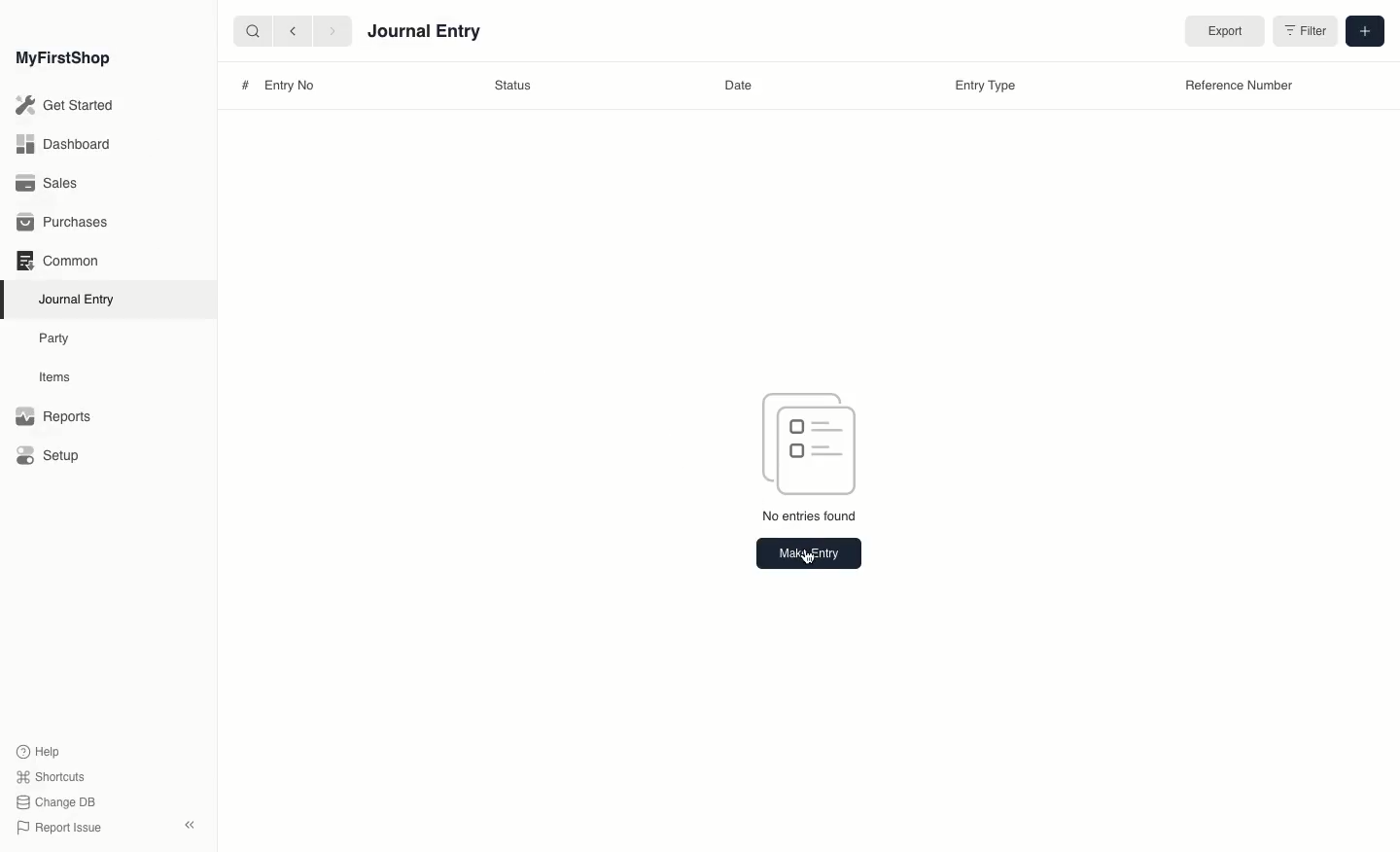  I want to click on Purchases, so click(67, 223).